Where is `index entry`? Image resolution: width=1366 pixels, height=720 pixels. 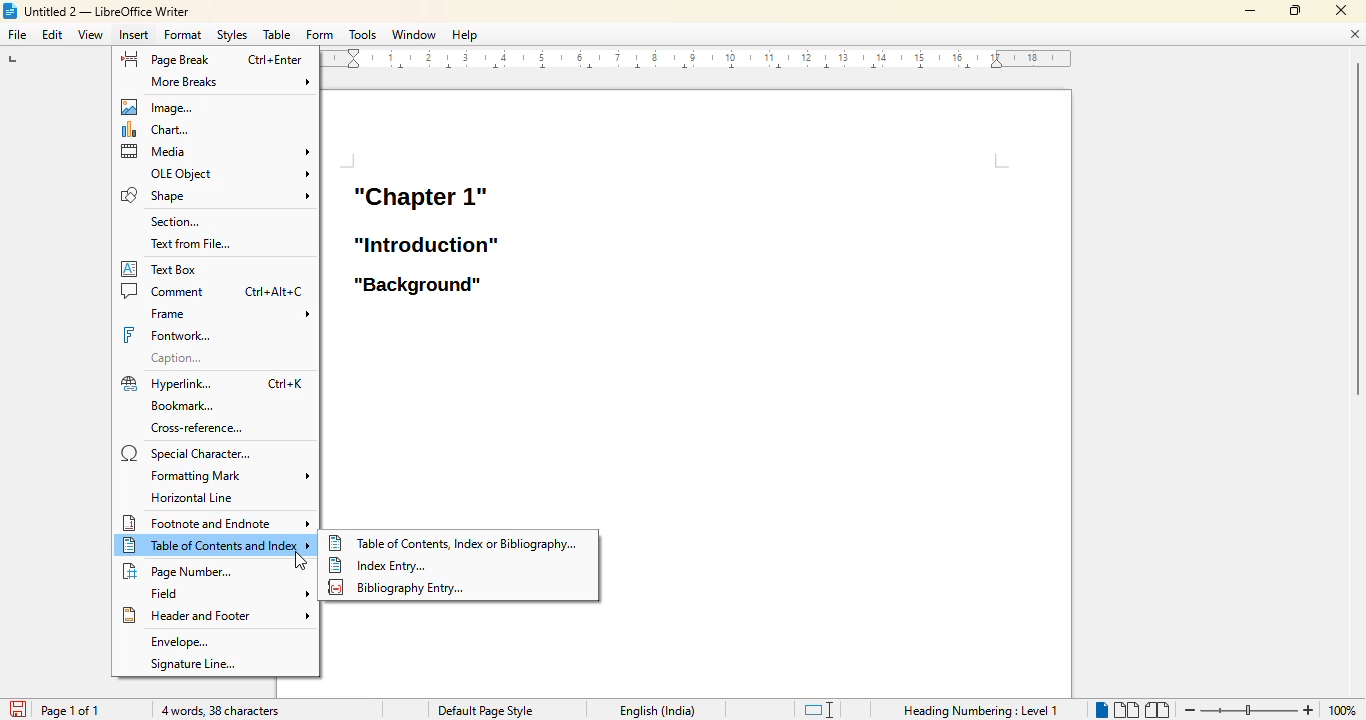 index entry is located at coordinates (375, 564).